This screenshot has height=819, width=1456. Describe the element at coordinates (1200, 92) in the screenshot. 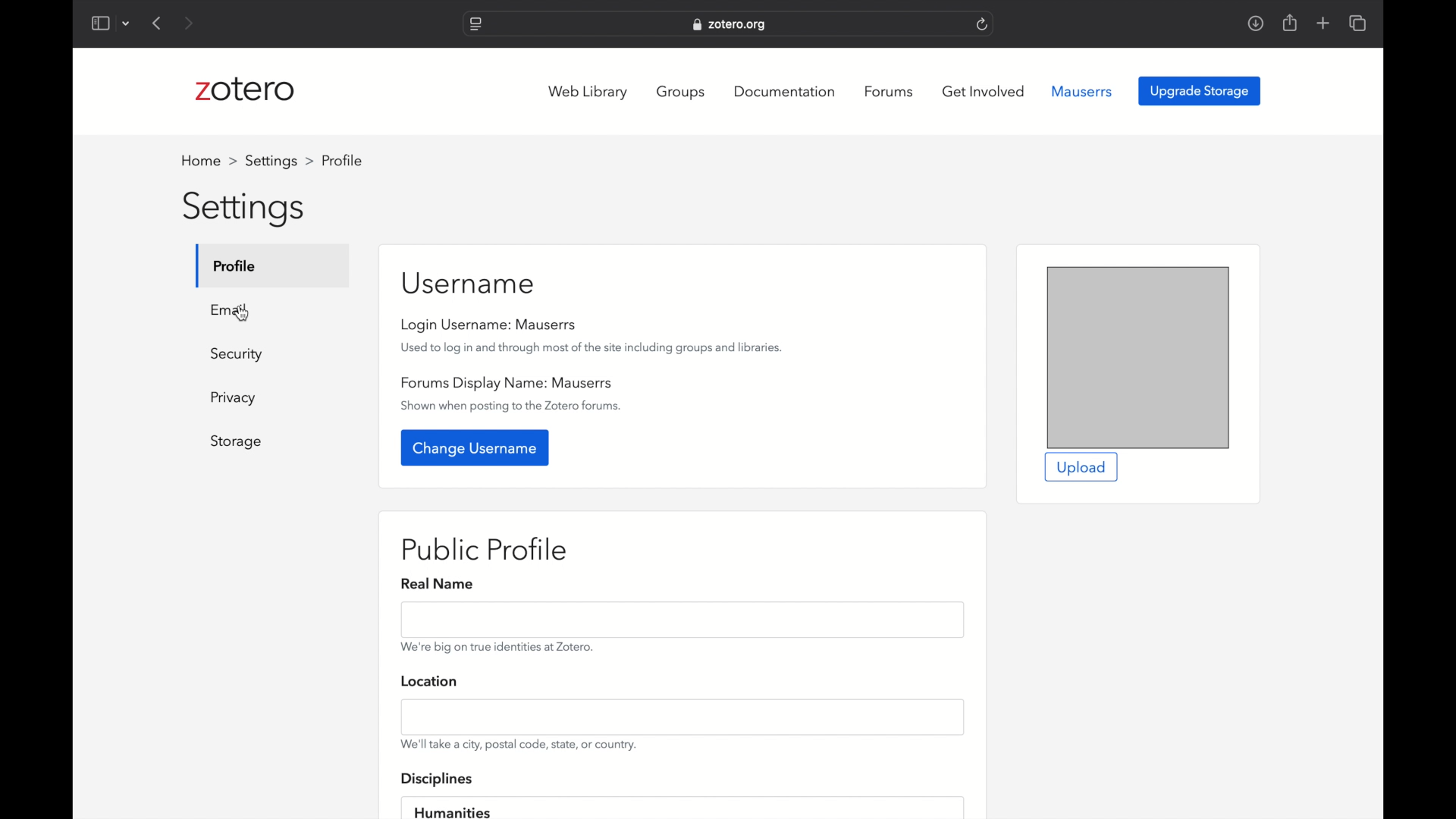

I see `upgrade storage` at that location.